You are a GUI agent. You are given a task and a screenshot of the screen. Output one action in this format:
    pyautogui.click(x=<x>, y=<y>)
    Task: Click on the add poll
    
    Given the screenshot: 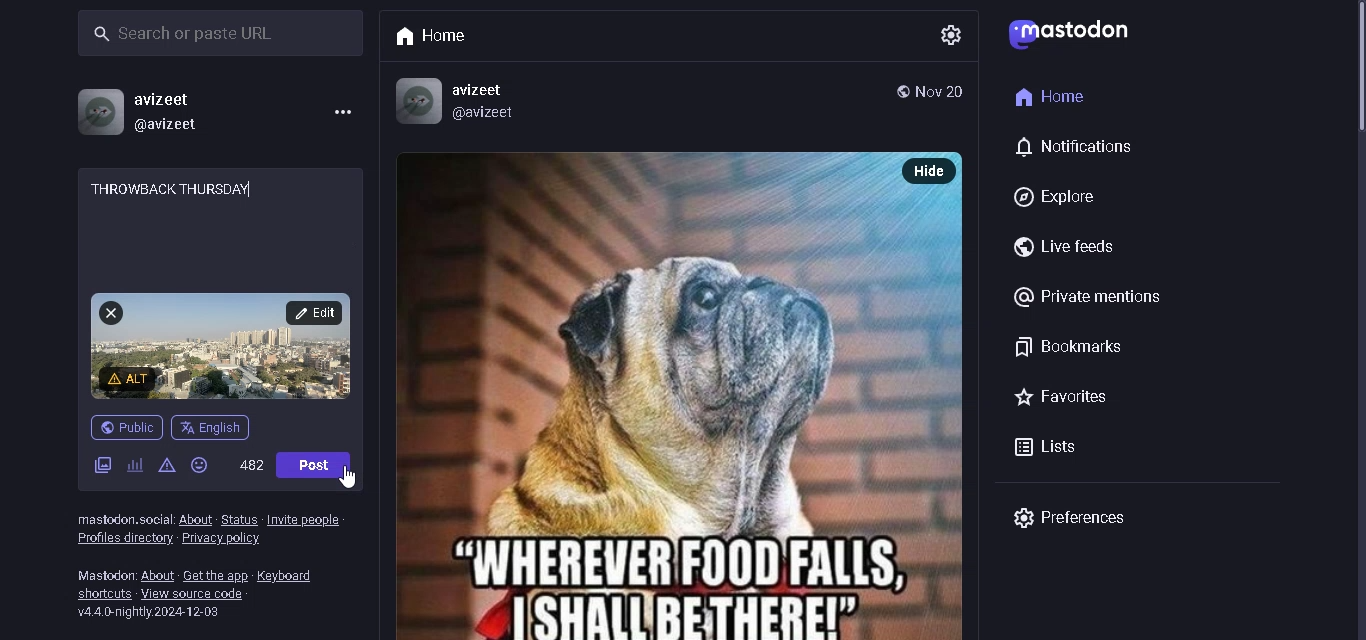 What is the action you would take?
    pyautogui.click(x=135, y=467)
    